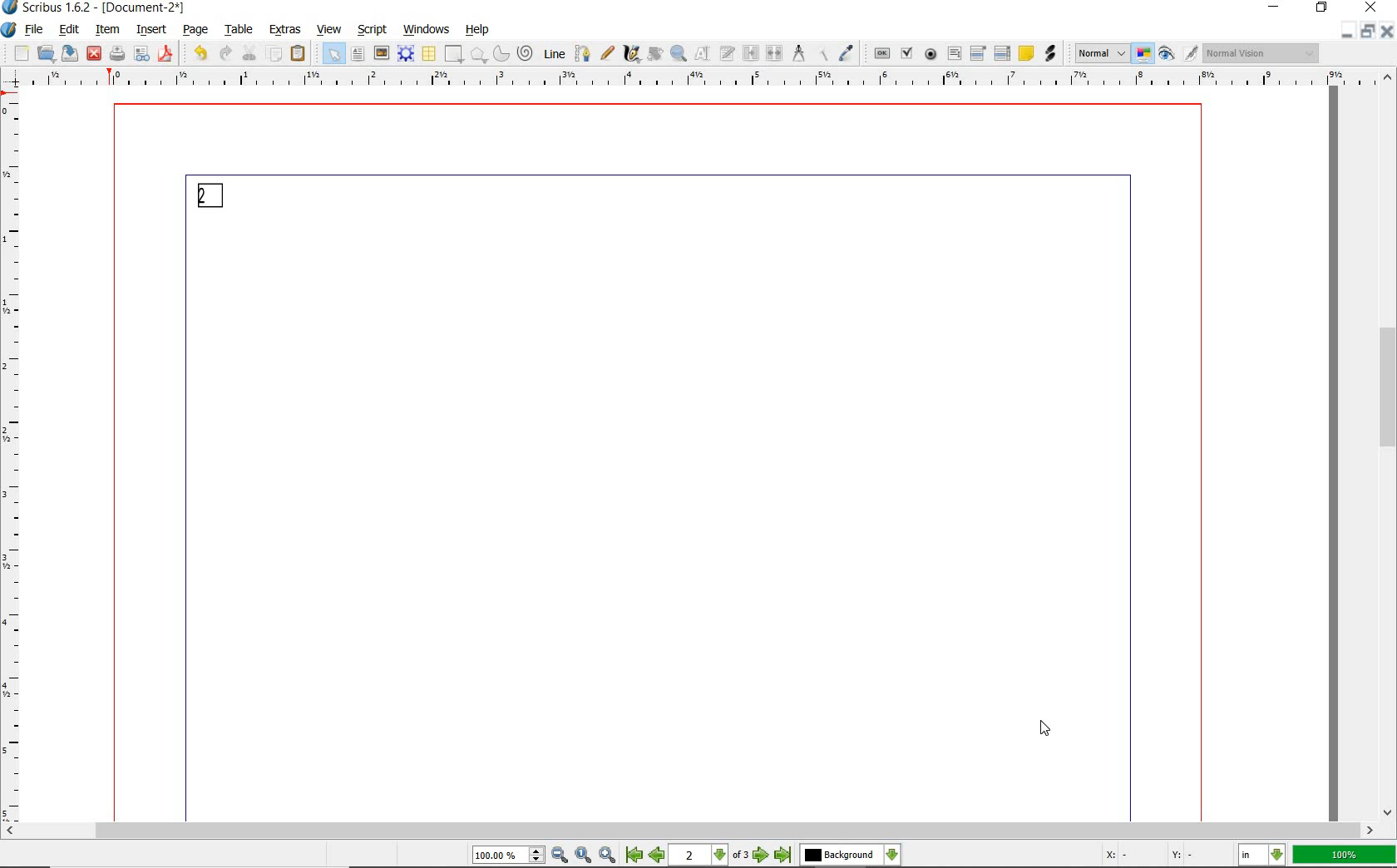 The height and width of the screenshot is (868, 1397). I want to click on copy item properties, so click(823, 55).